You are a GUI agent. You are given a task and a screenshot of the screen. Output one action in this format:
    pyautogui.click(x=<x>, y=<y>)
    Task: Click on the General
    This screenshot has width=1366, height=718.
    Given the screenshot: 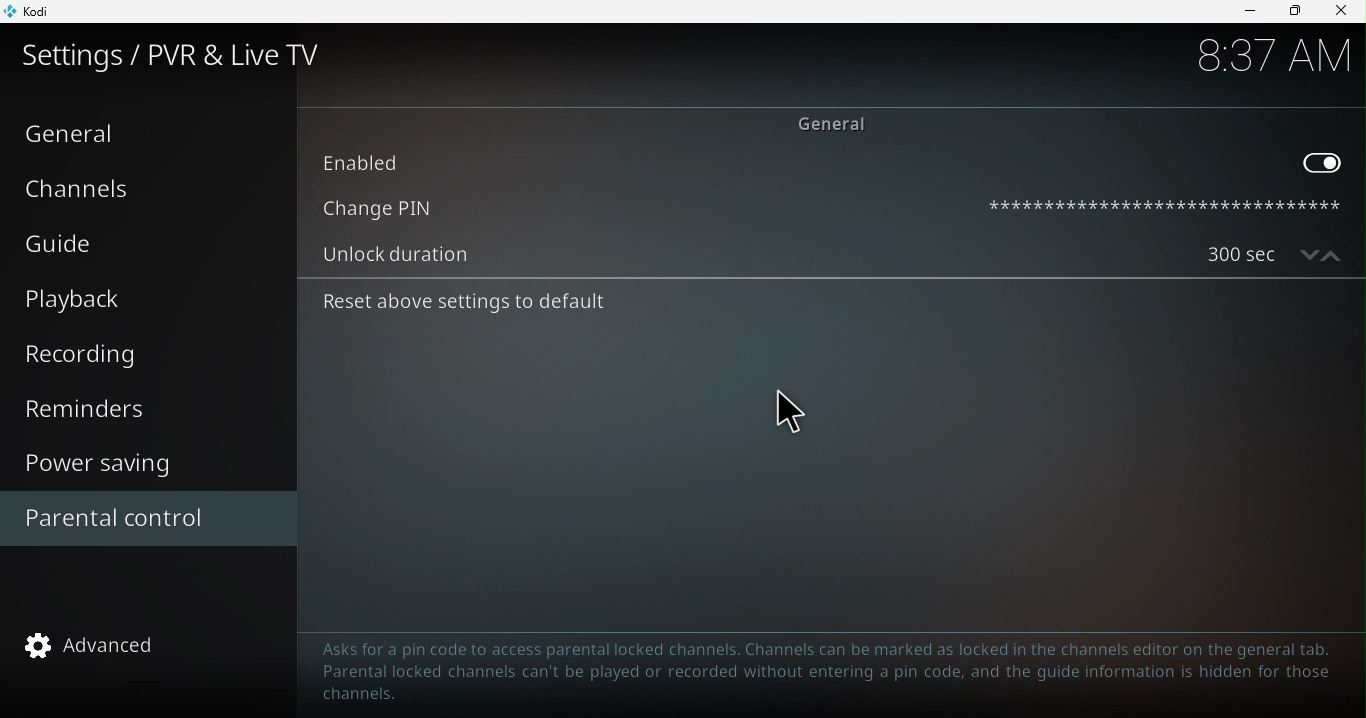 What is the action you would take?
    pyautogui.click(x=835, y=123)
    